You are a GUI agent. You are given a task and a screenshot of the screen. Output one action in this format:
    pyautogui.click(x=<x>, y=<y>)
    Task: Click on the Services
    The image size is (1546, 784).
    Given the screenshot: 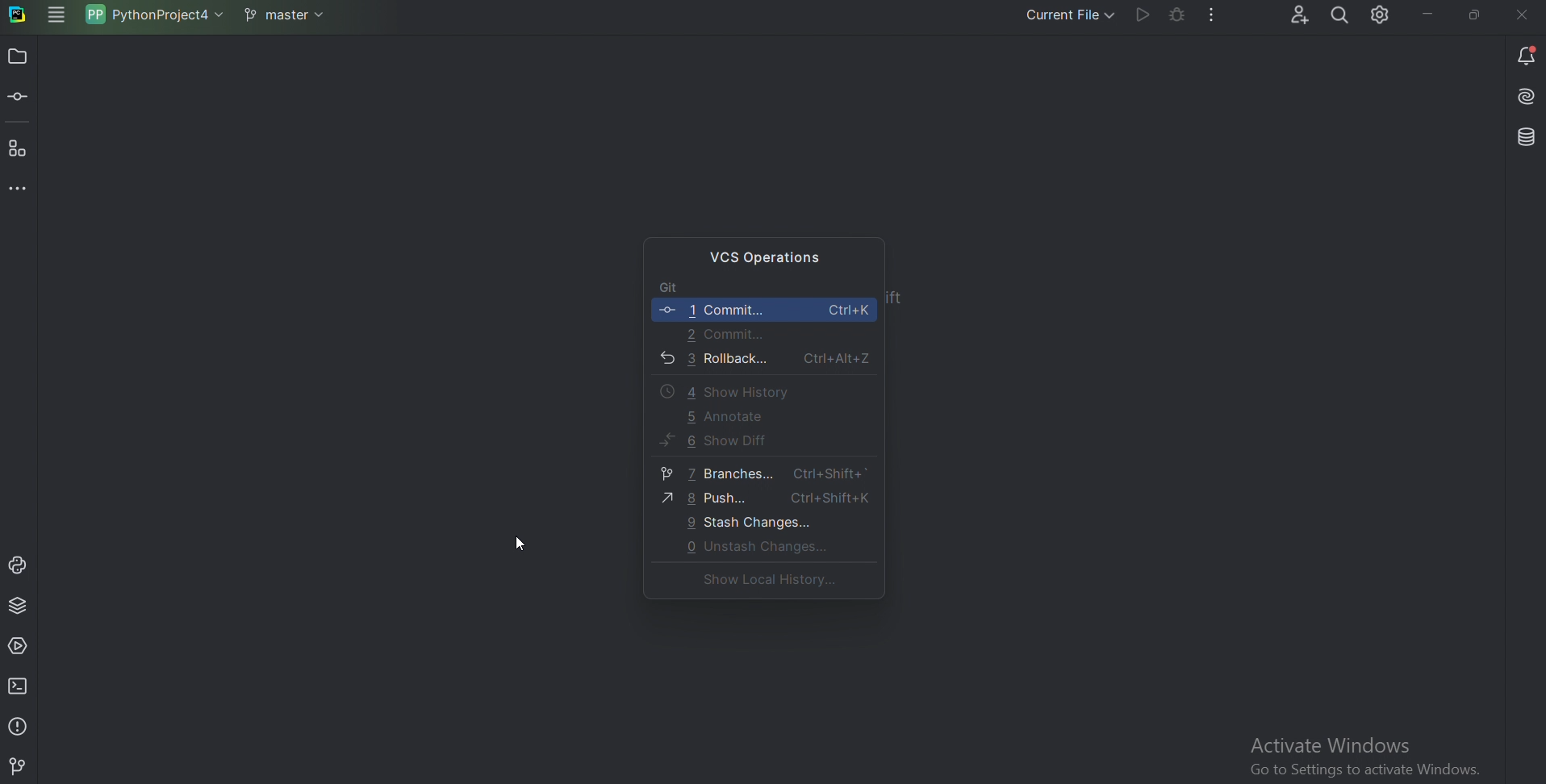 What is the action you would take?
    pyautogui.click(x=22, y=644)
    